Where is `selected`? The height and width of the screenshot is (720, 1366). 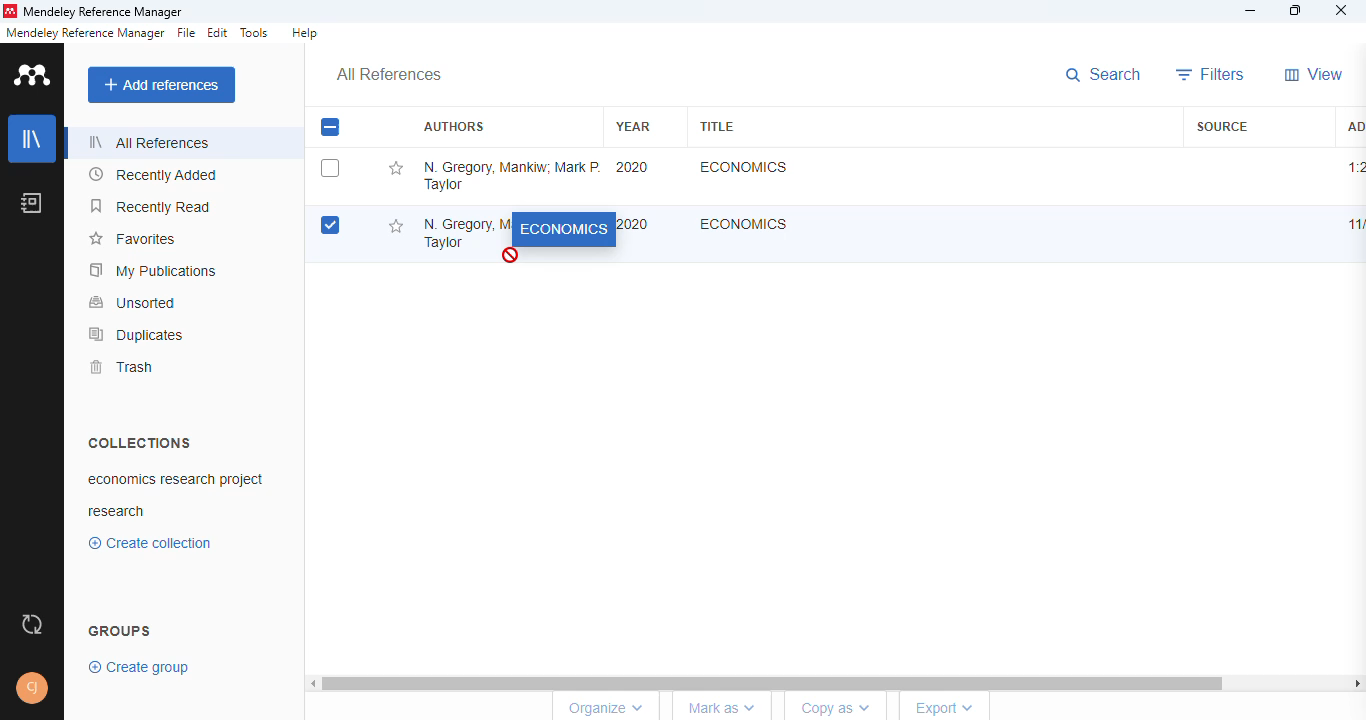 selected is located at coordinates (331, 225).